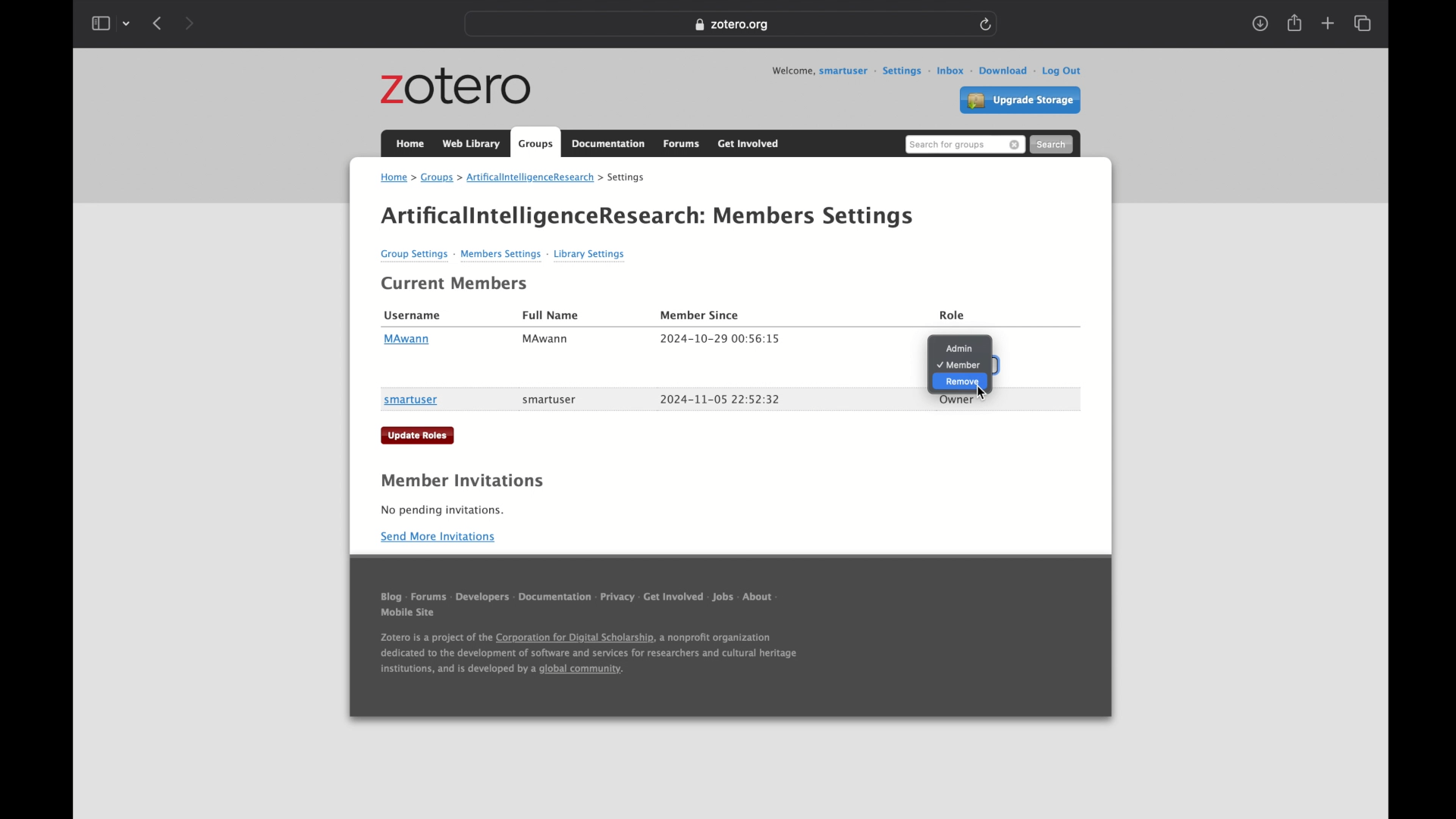 The image size is (1456, 819). Describe the element at coordinates (462, 481) in the screenshot. I see `member invitations` at that location.